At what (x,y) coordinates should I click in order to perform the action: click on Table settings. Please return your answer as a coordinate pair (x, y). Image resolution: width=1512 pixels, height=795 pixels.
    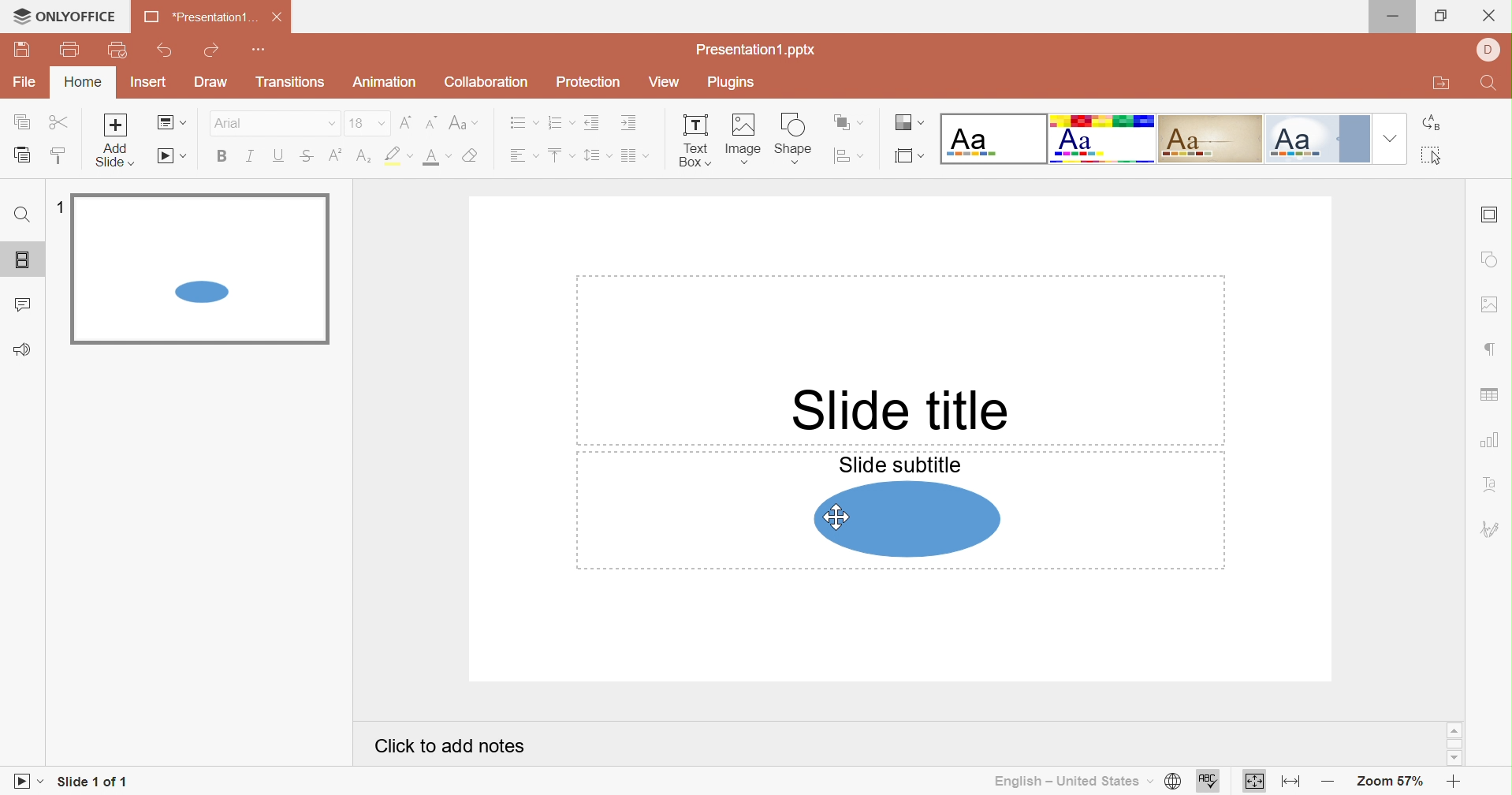
    Looking at the image, I should click on (1492, 396).